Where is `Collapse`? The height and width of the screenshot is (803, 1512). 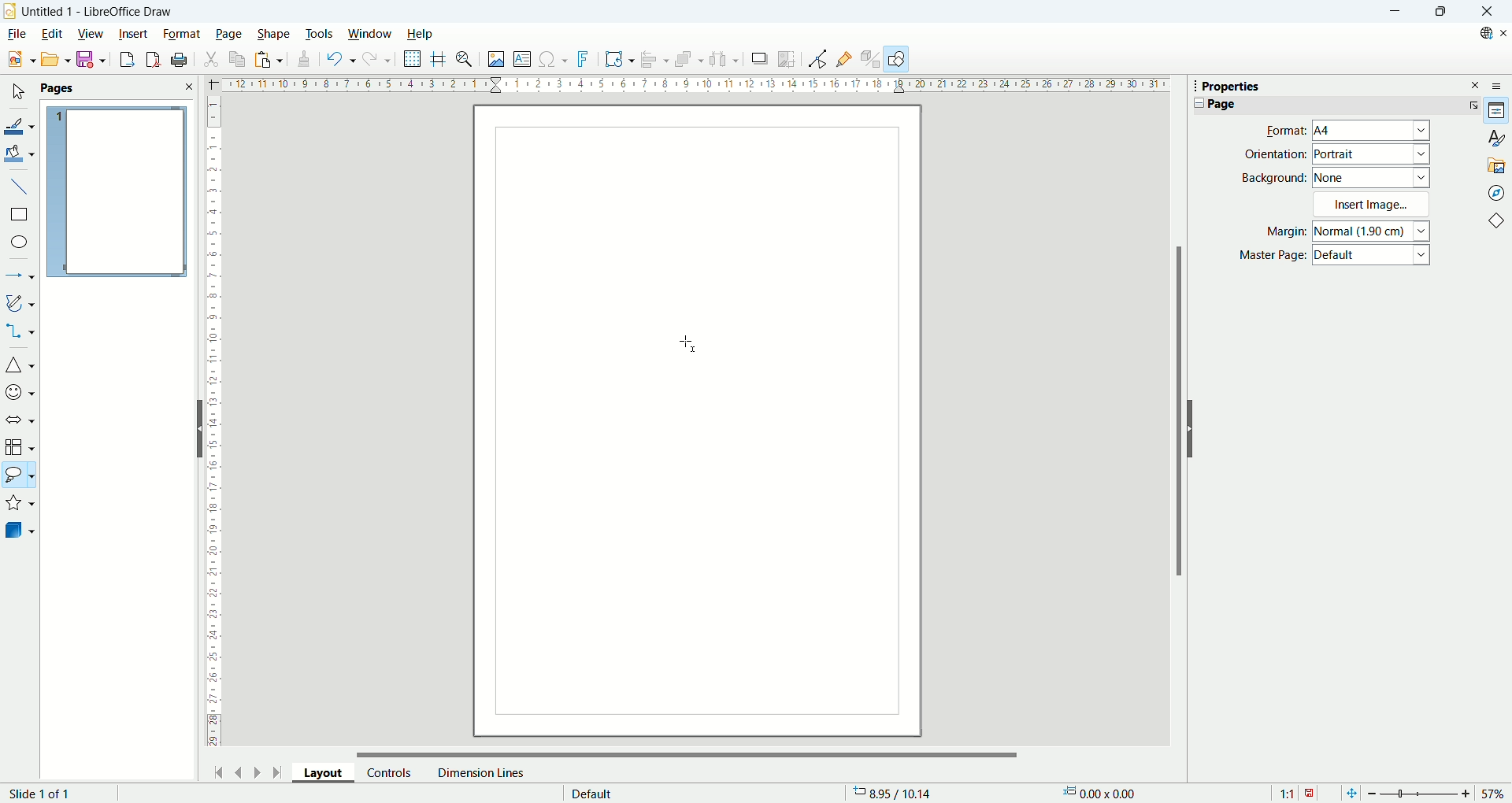
Collapse is located at coordinates (1195, 103).